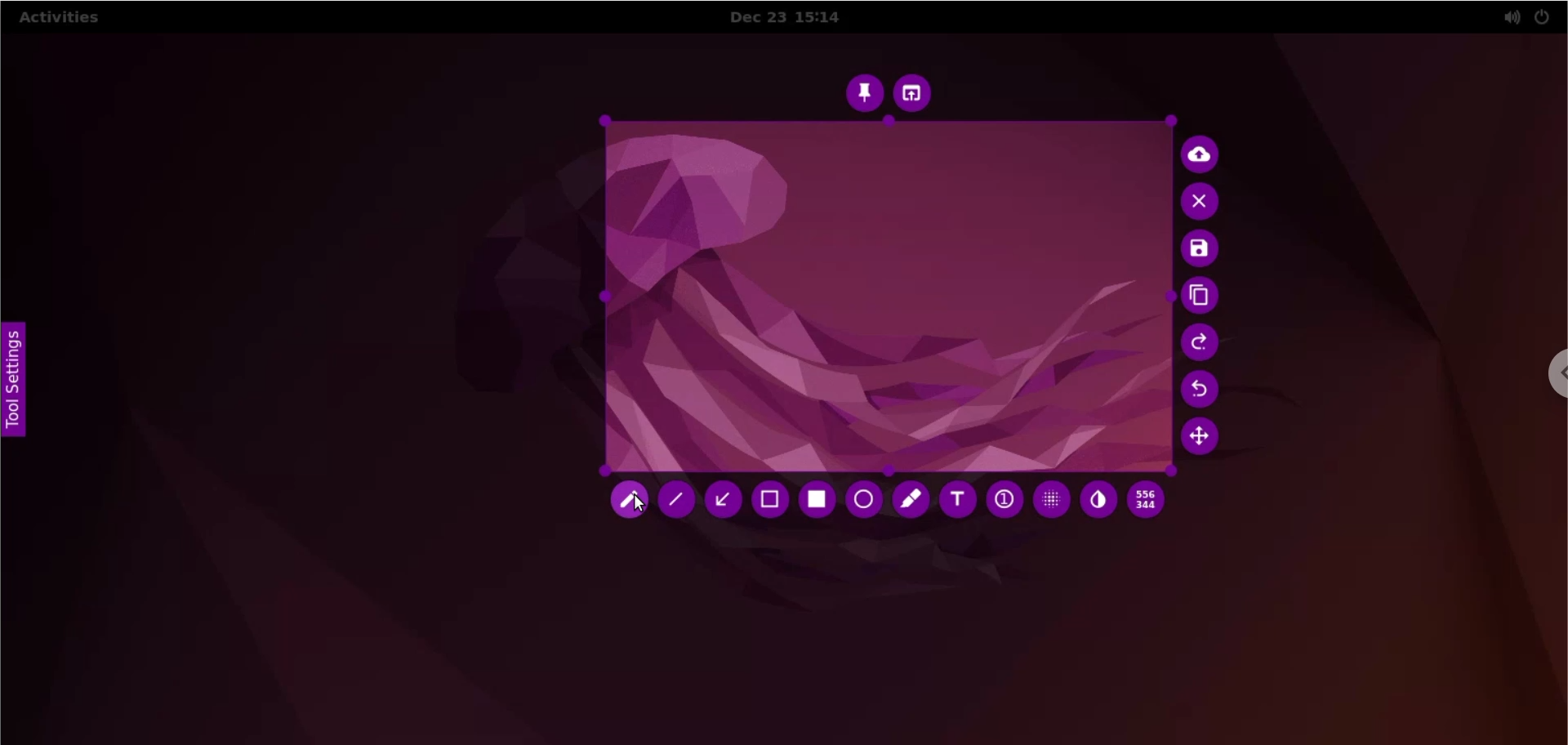 Image resolution: width=1568 pixels, height=745 pixels. I want to click on pin, so click(863, 93).